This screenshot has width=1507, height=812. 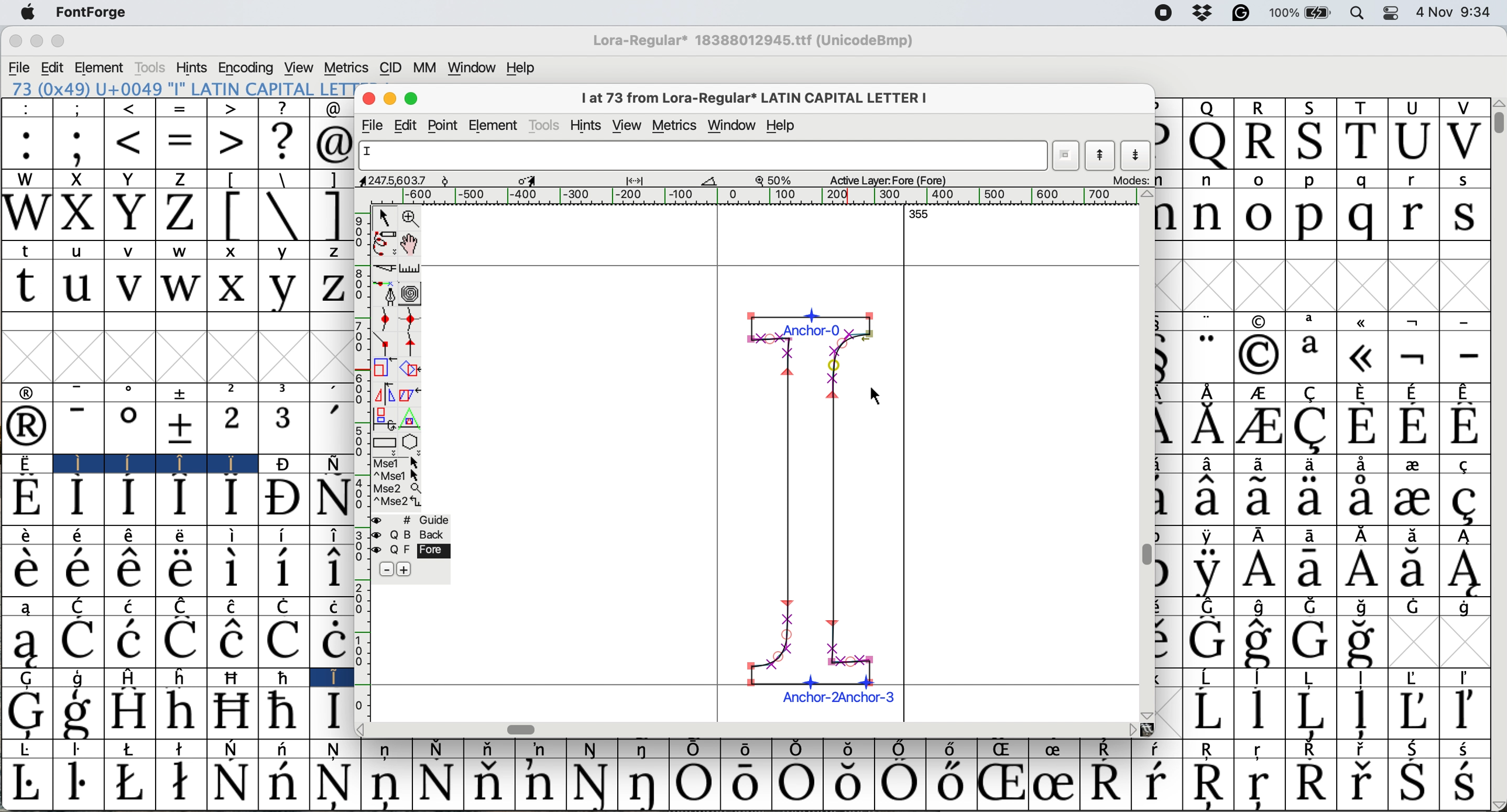 I want to click on Symbol, so click(x=1363, y=607).